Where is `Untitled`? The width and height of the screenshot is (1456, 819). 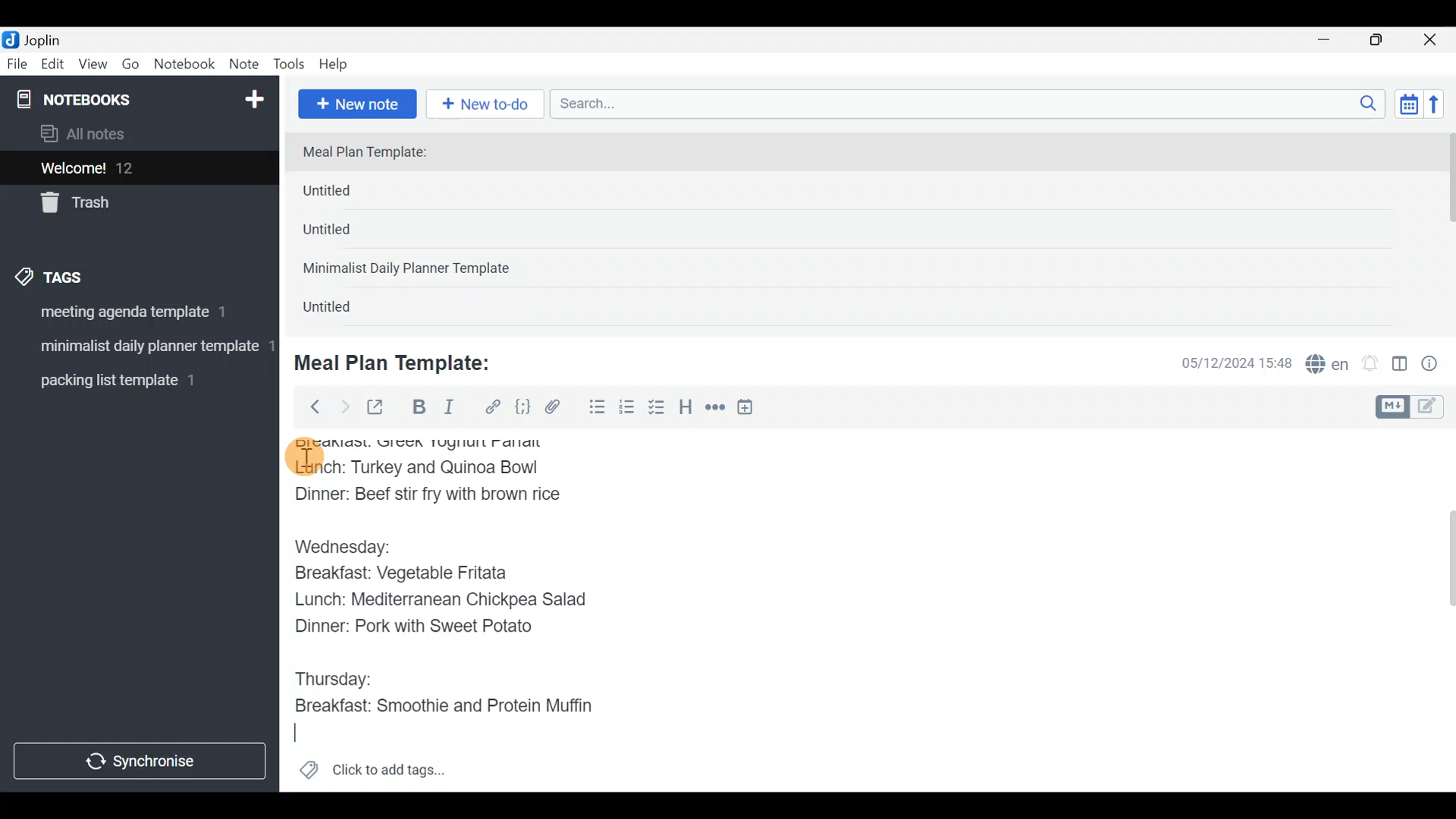
Untitled is located at coordinates (352, 194).